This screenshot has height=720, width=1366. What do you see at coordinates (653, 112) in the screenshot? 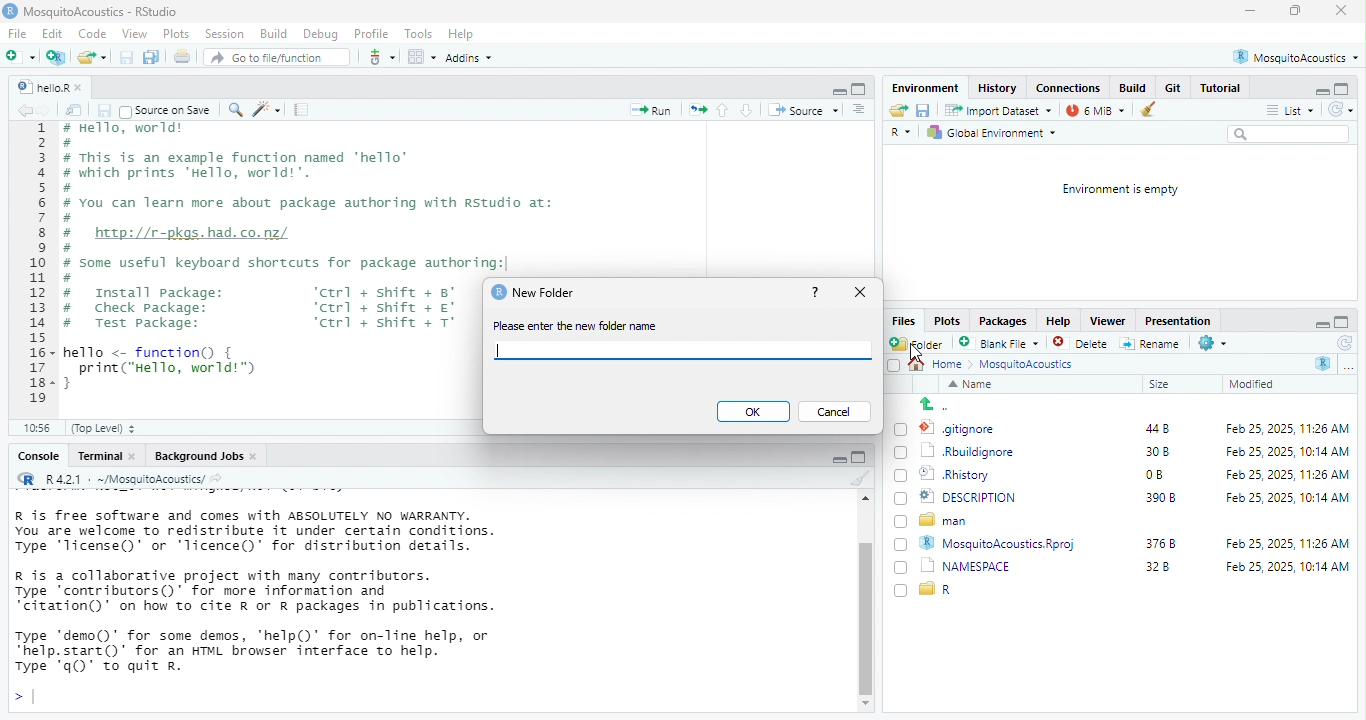
I see ` Run` at bounding box center [653, 112].